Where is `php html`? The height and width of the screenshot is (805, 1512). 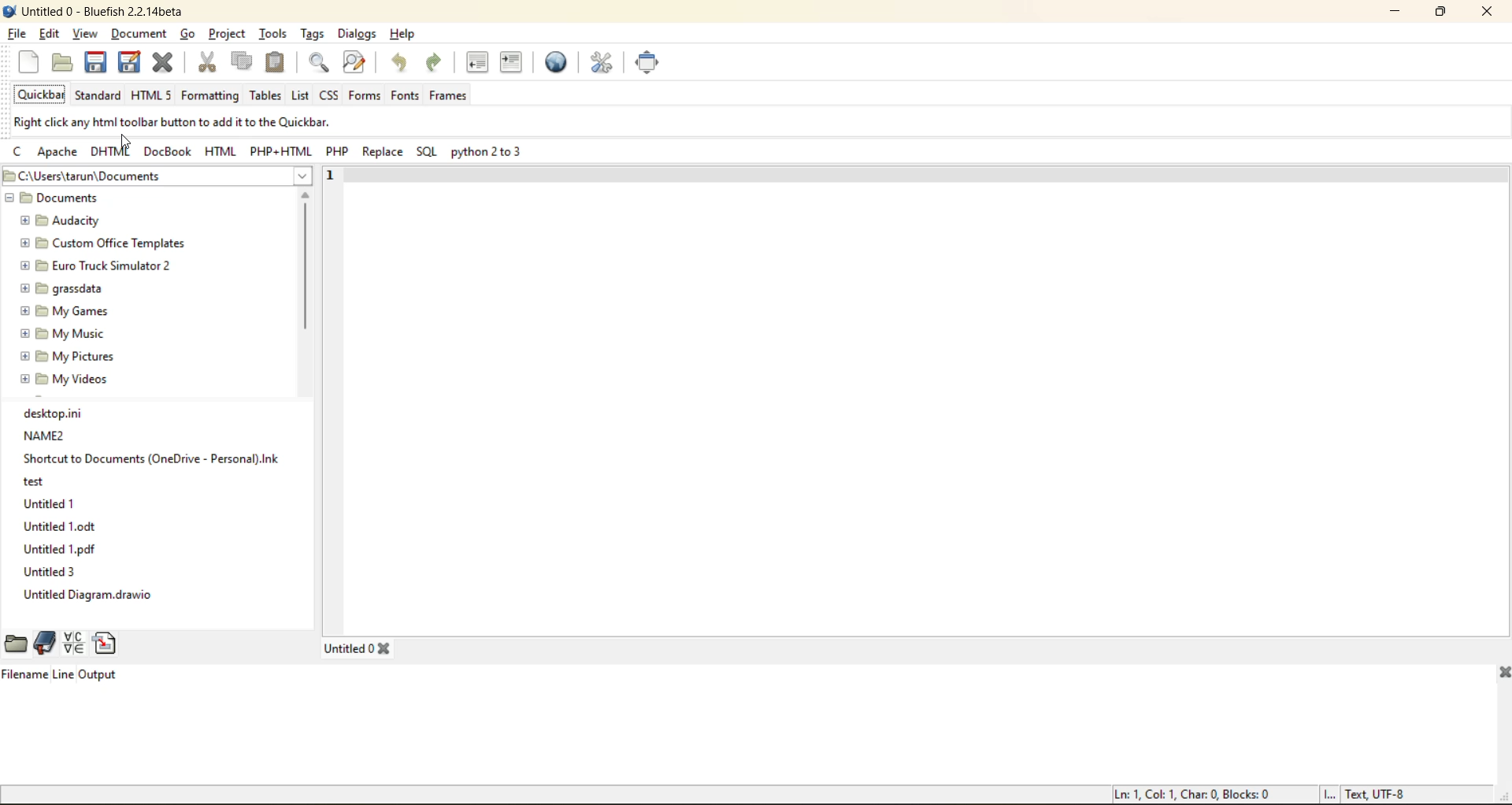
php html is located at coordinates (282, 153).